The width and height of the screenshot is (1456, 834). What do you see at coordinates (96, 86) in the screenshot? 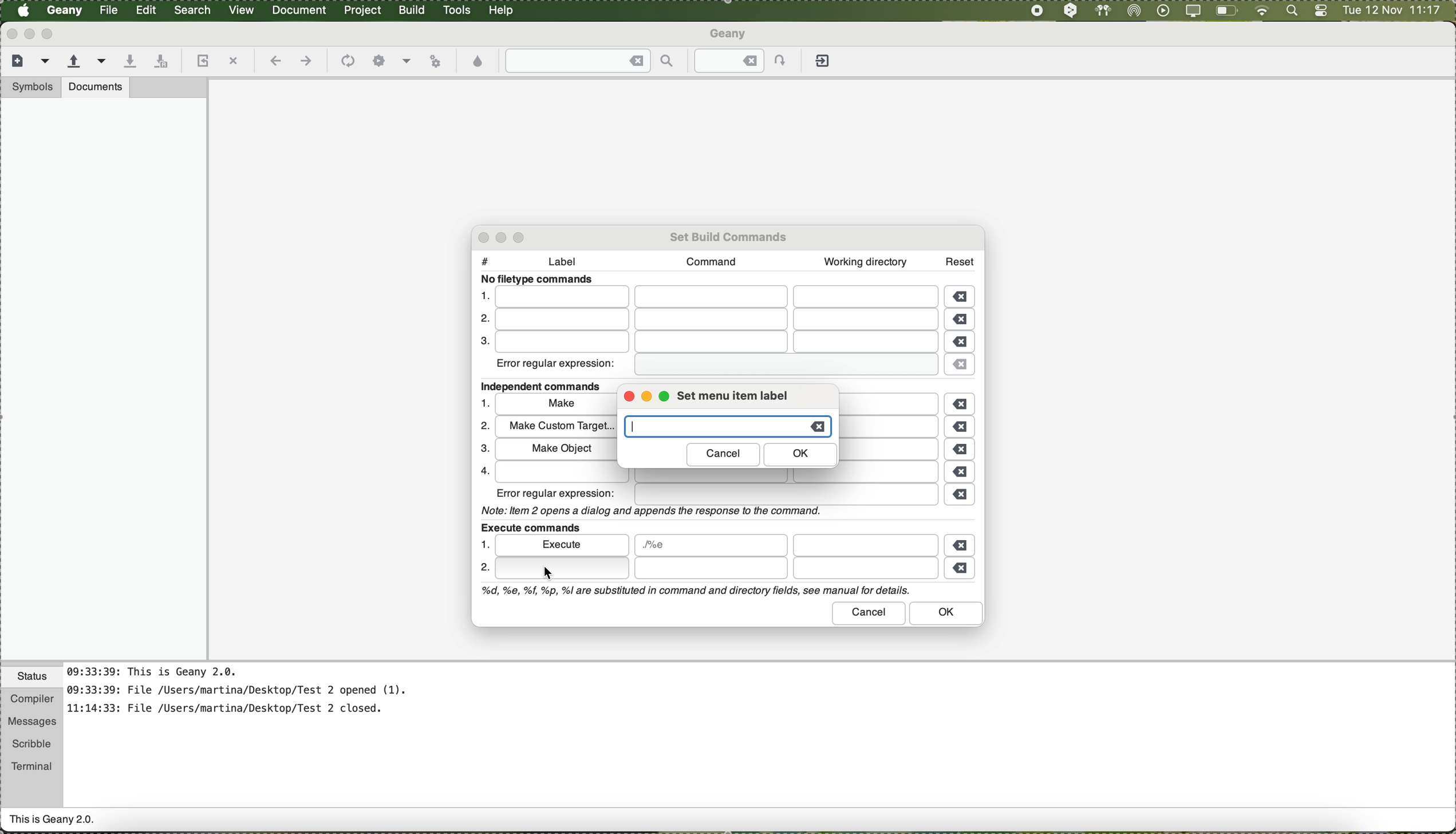
I see `documents` at bounding box center [96, 86].